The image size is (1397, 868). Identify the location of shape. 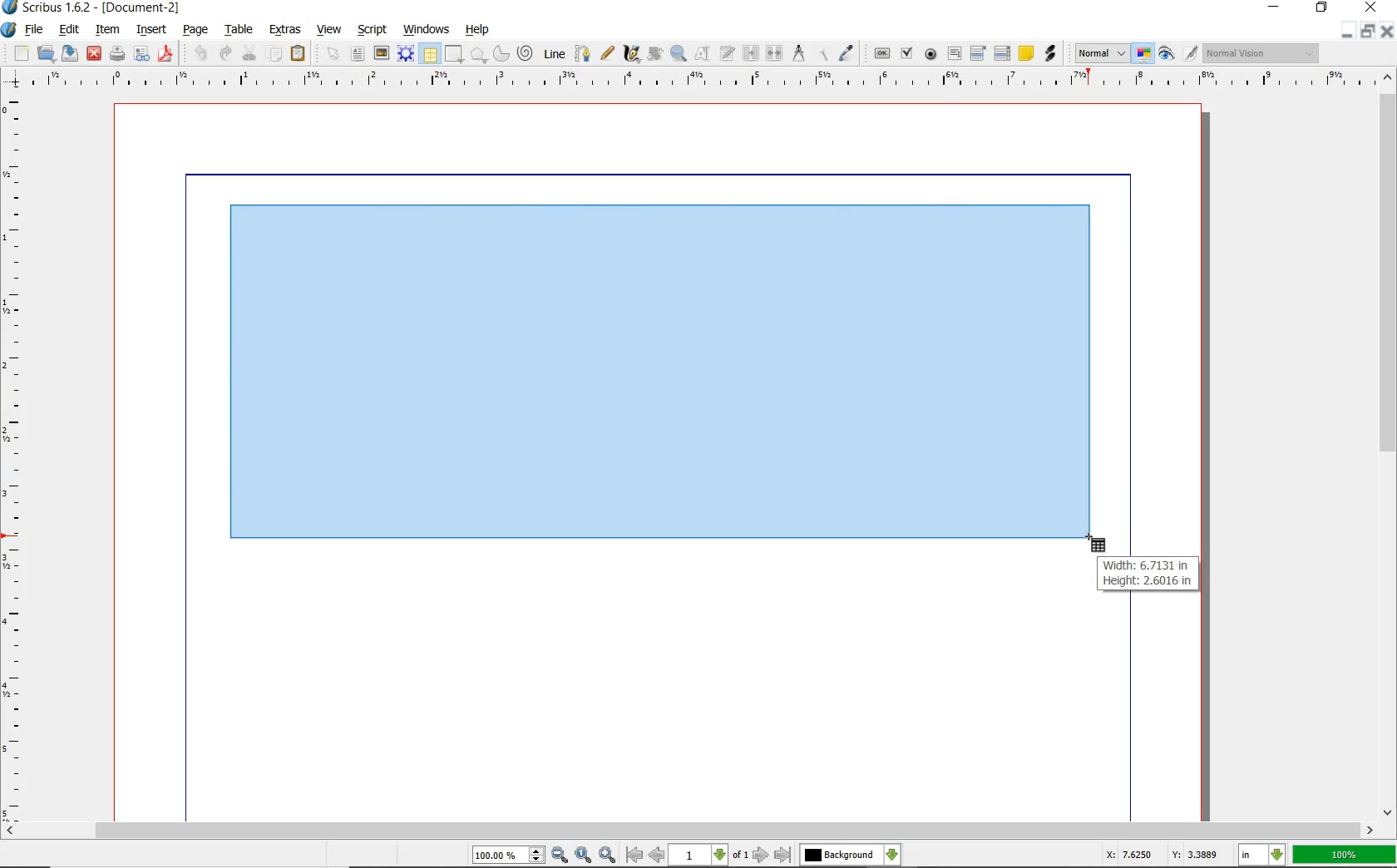
(454, 55).